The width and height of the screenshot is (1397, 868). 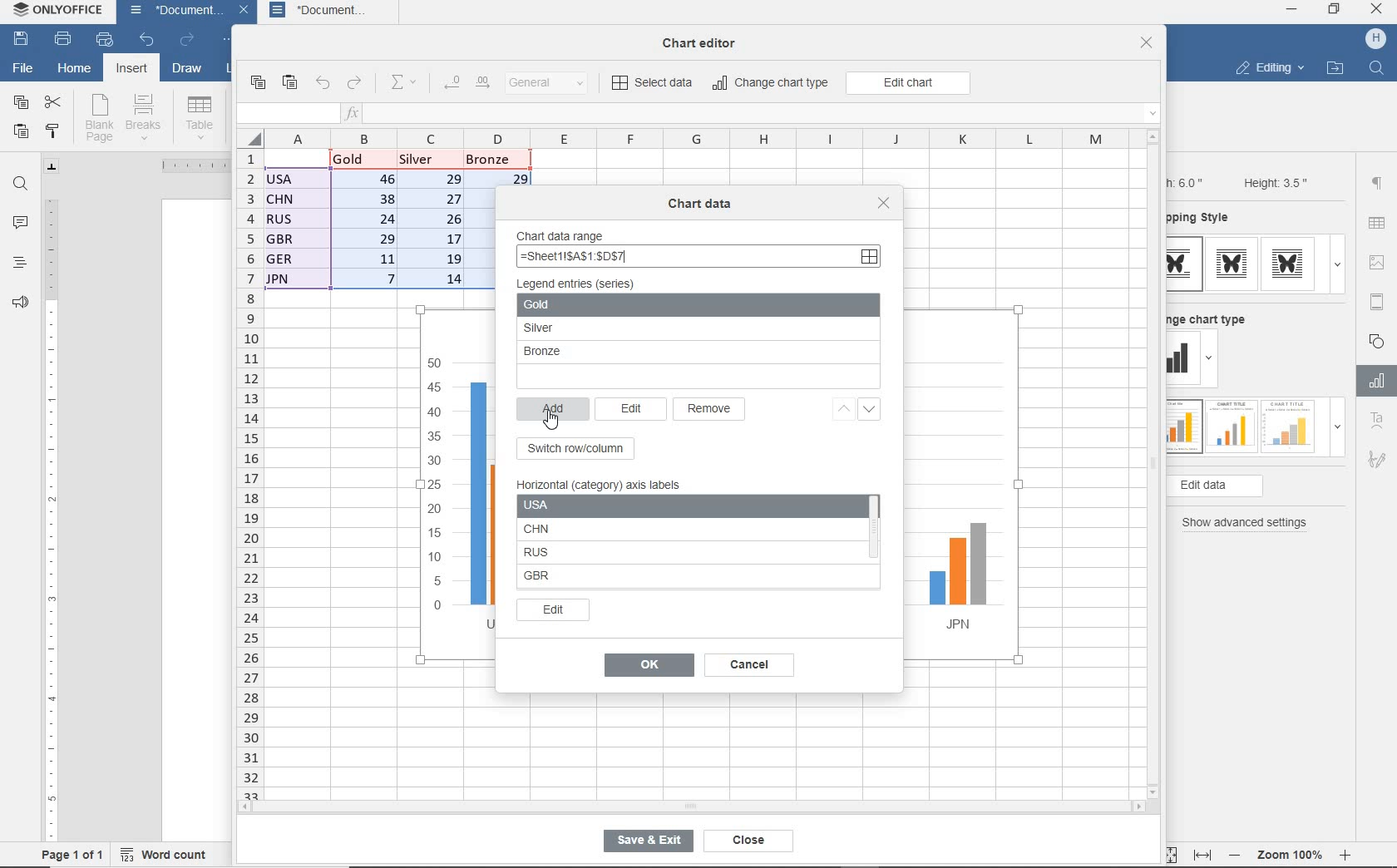 What do you see at coordinates (466, 83) in the screenshot?
I see `change decimal place` at bounding box center [466, 83].